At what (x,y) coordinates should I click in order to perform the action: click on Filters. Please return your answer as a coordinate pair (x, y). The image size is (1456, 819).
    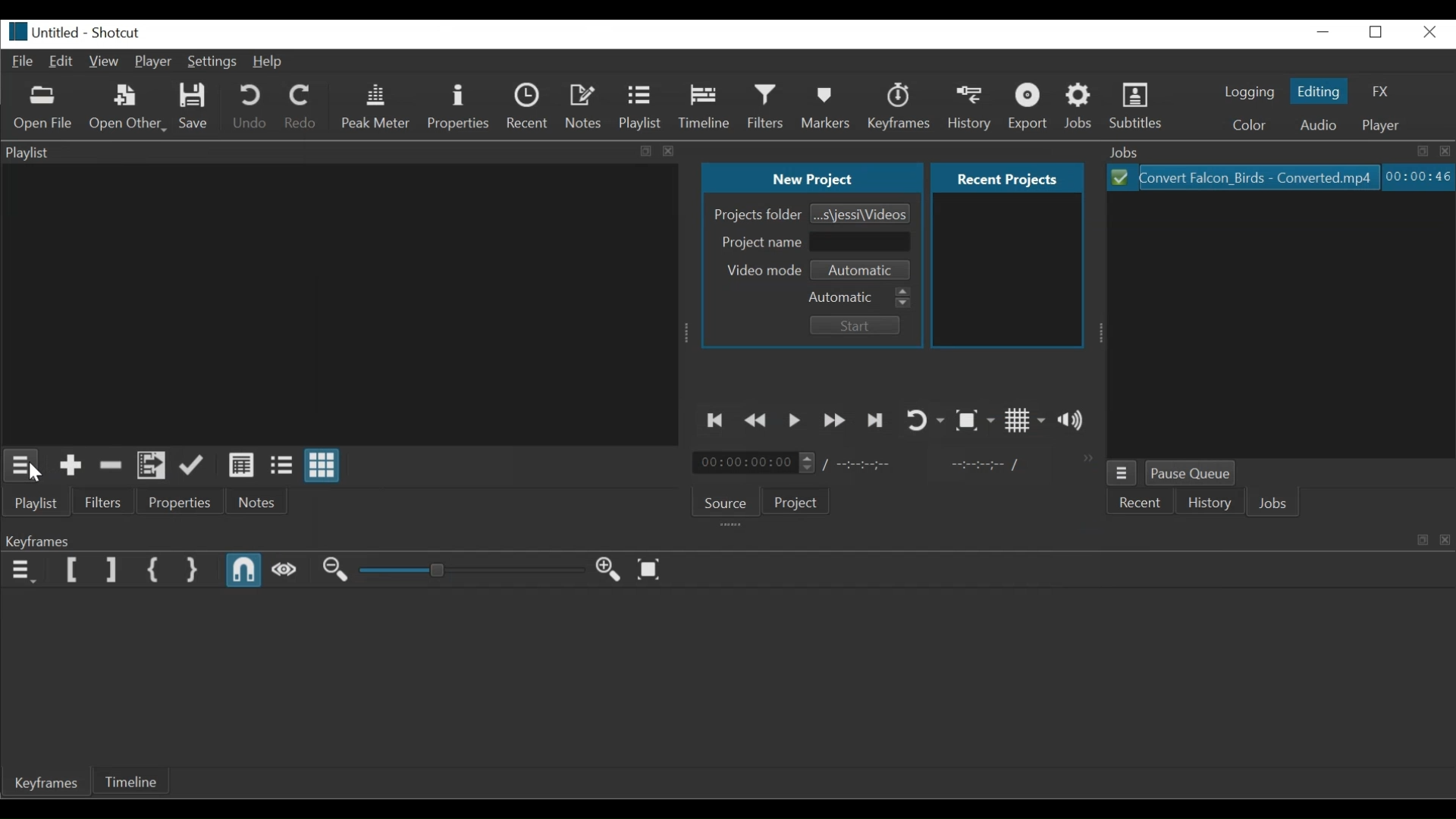
    Looking at the image, I should click on (103, 500).